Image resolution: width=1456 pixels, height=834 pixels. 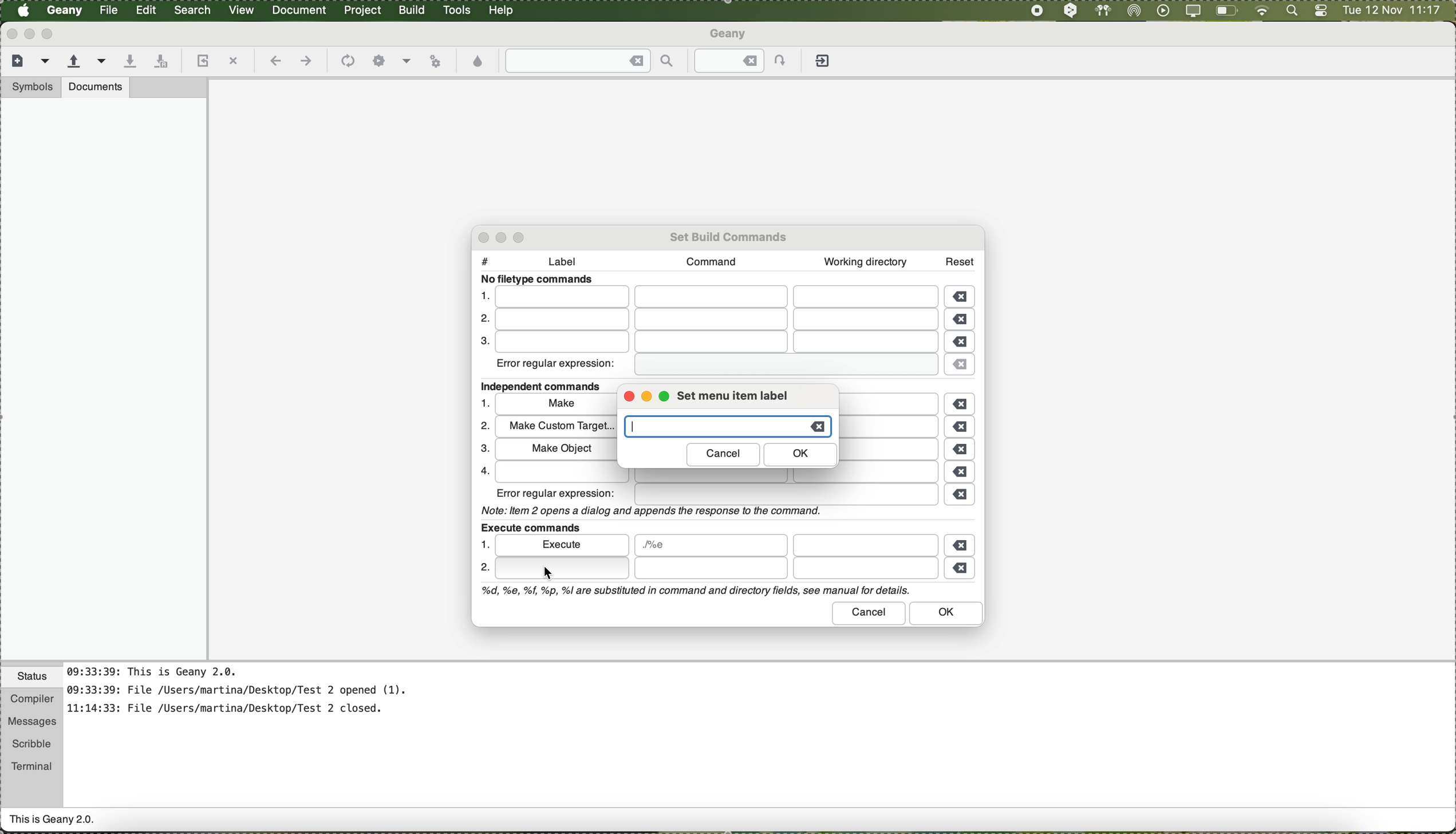 I want to click on minimize, so click(x=505, y=237).